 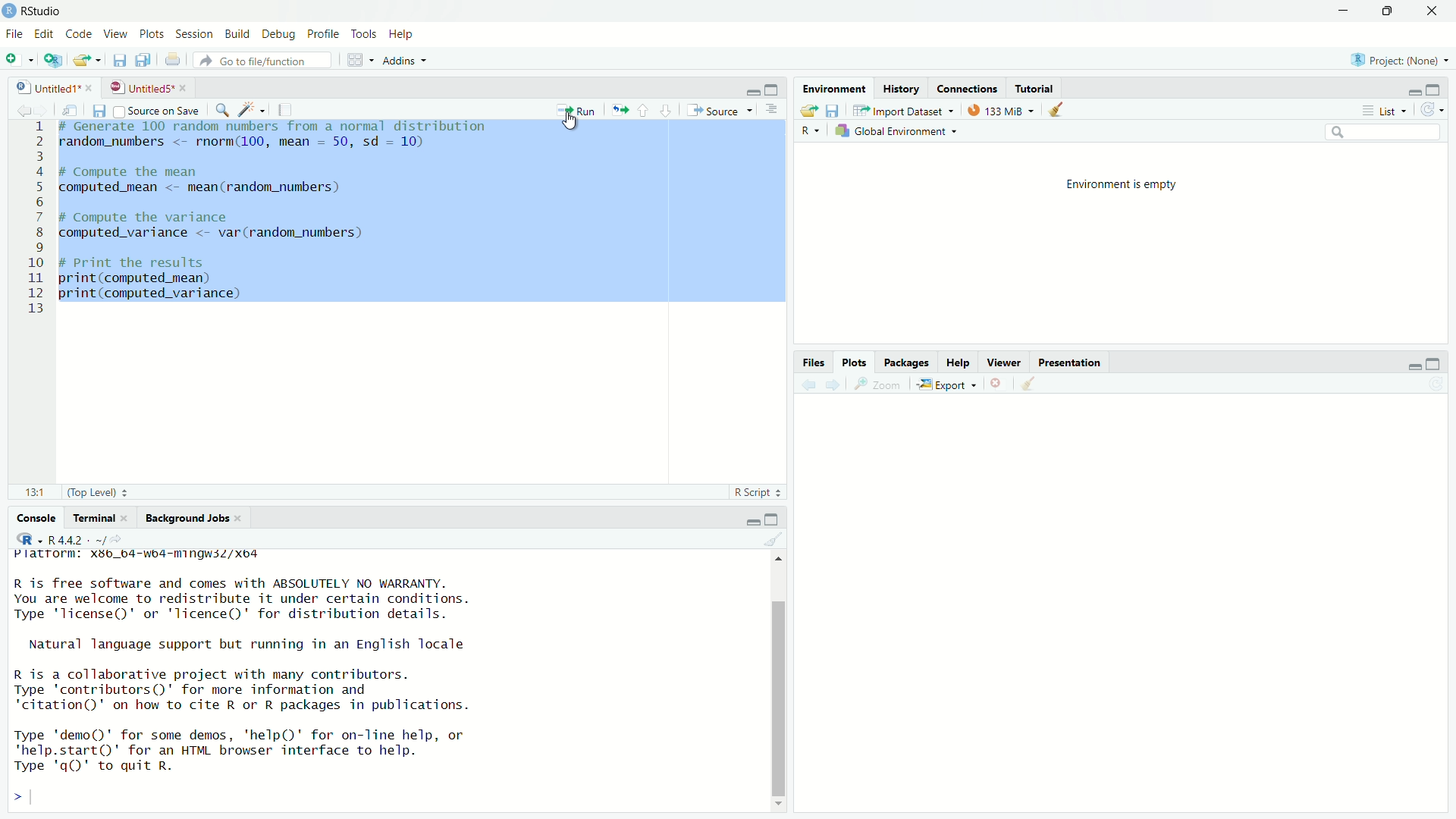 I want to click on typing cursor, so click(x=39, y=797).